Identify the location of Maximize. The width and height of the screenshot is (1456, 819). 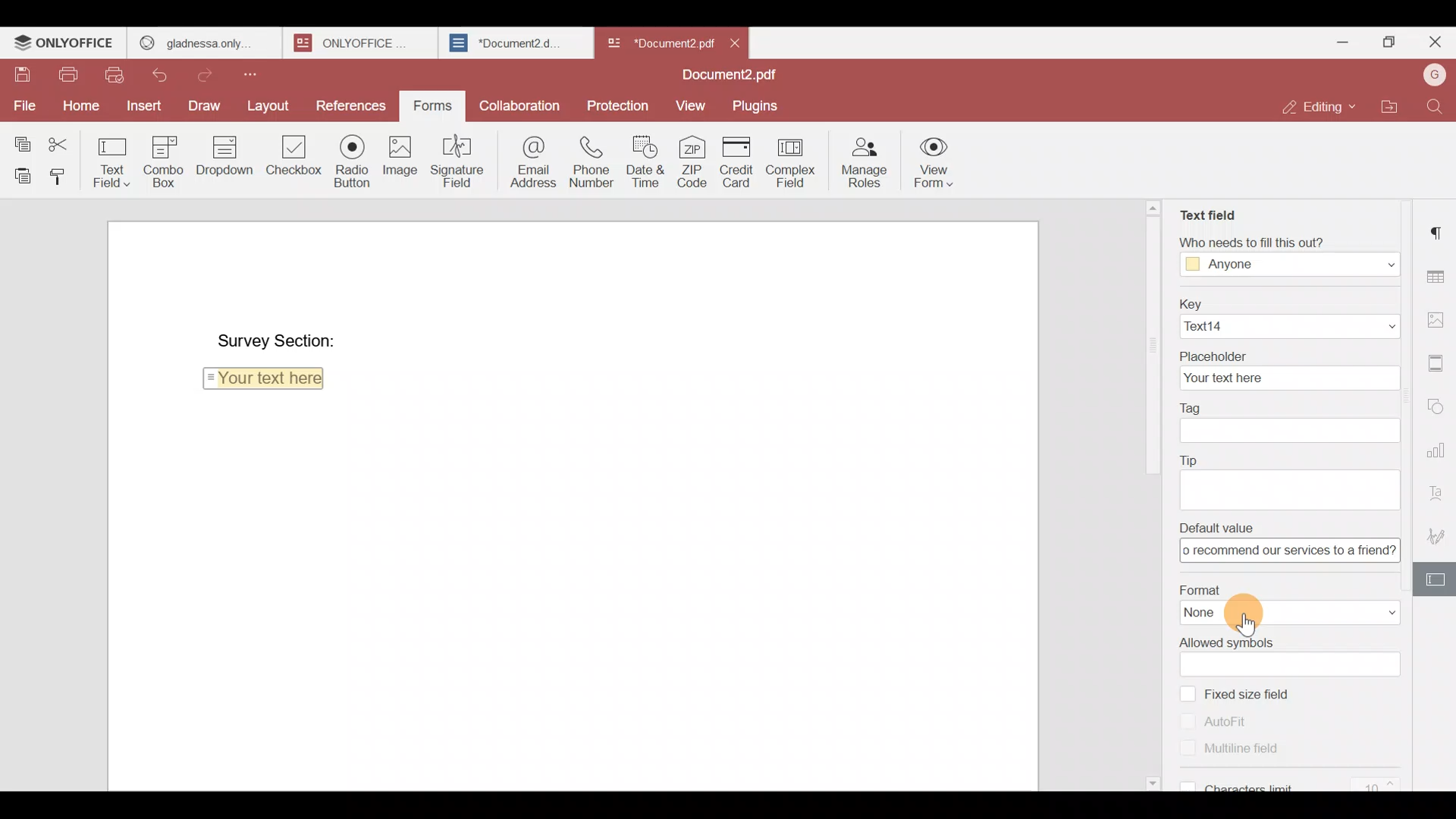
(1392, 42).